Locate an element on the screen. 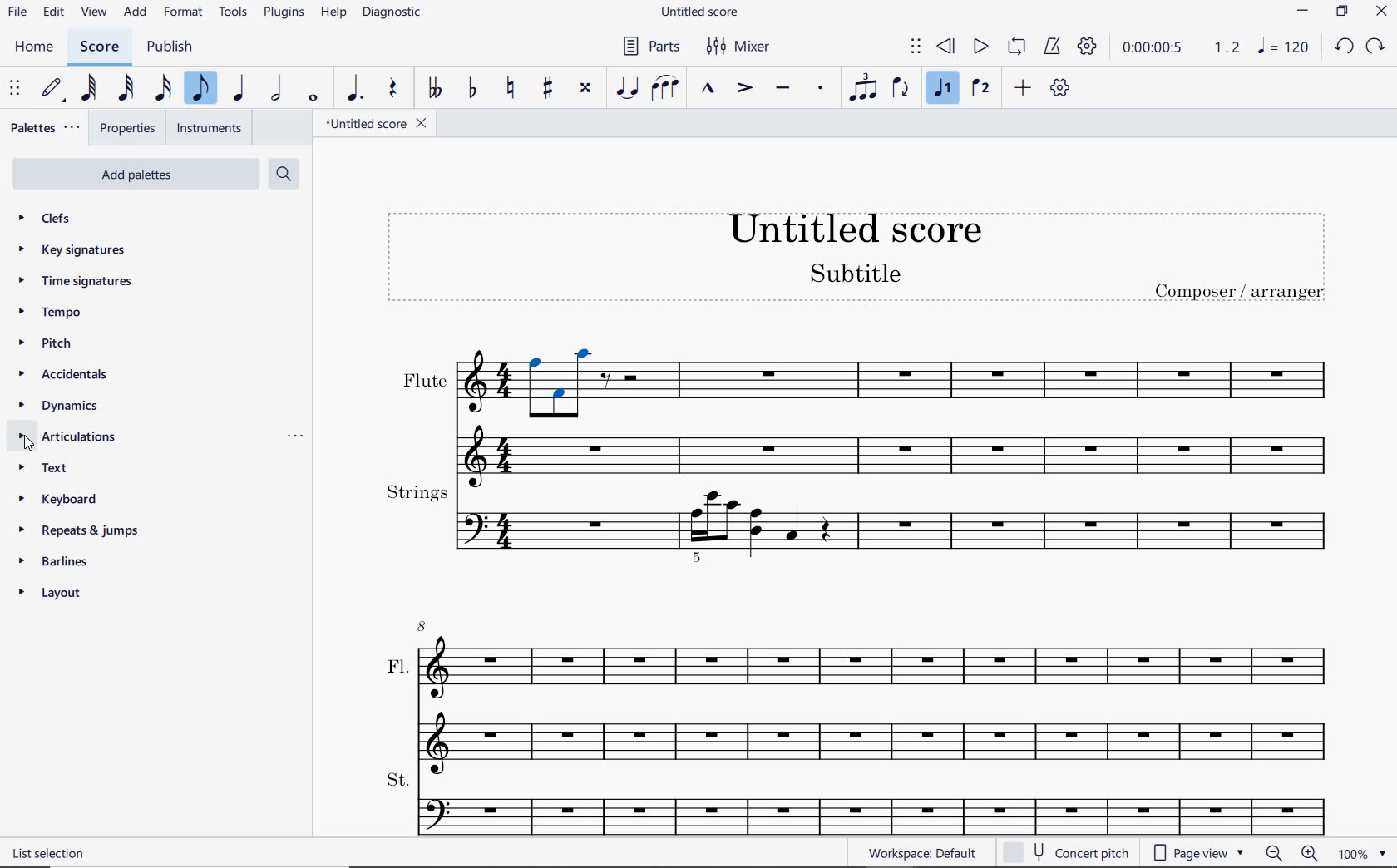 This screenshot has height=868, width=1397. redo is located at coordinates (1376, 47).